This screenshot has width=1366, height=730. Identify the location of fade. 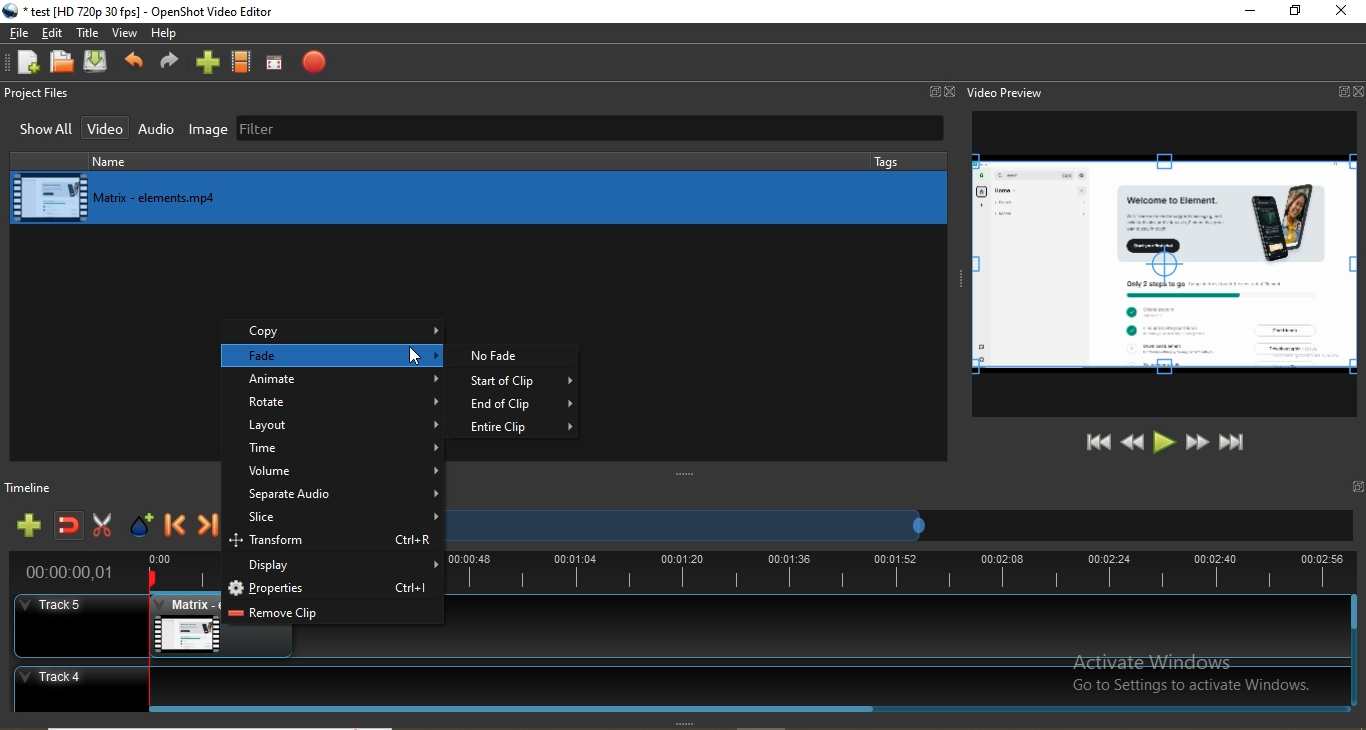
(335, 356).